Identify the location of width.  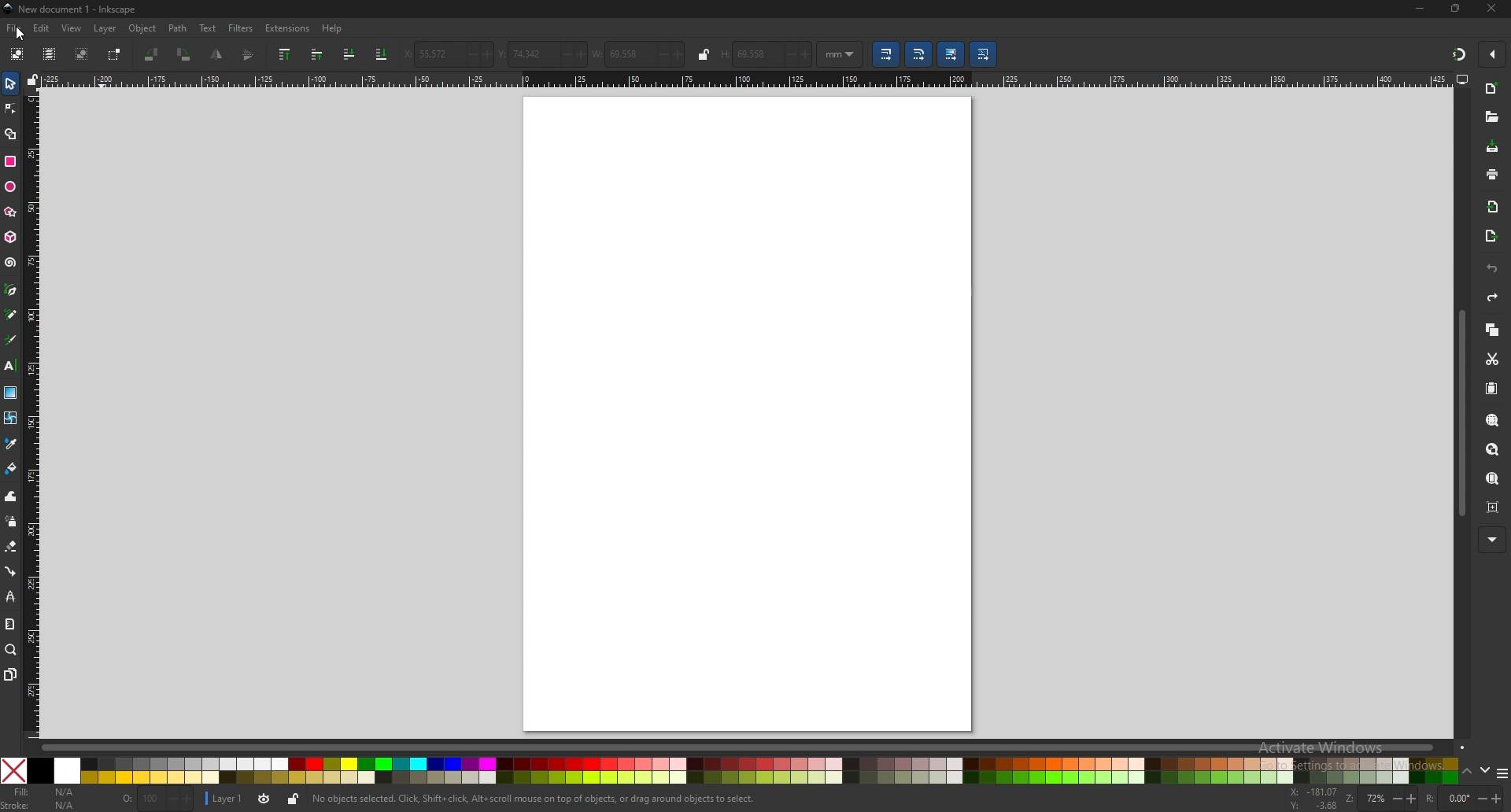
(618, 55).